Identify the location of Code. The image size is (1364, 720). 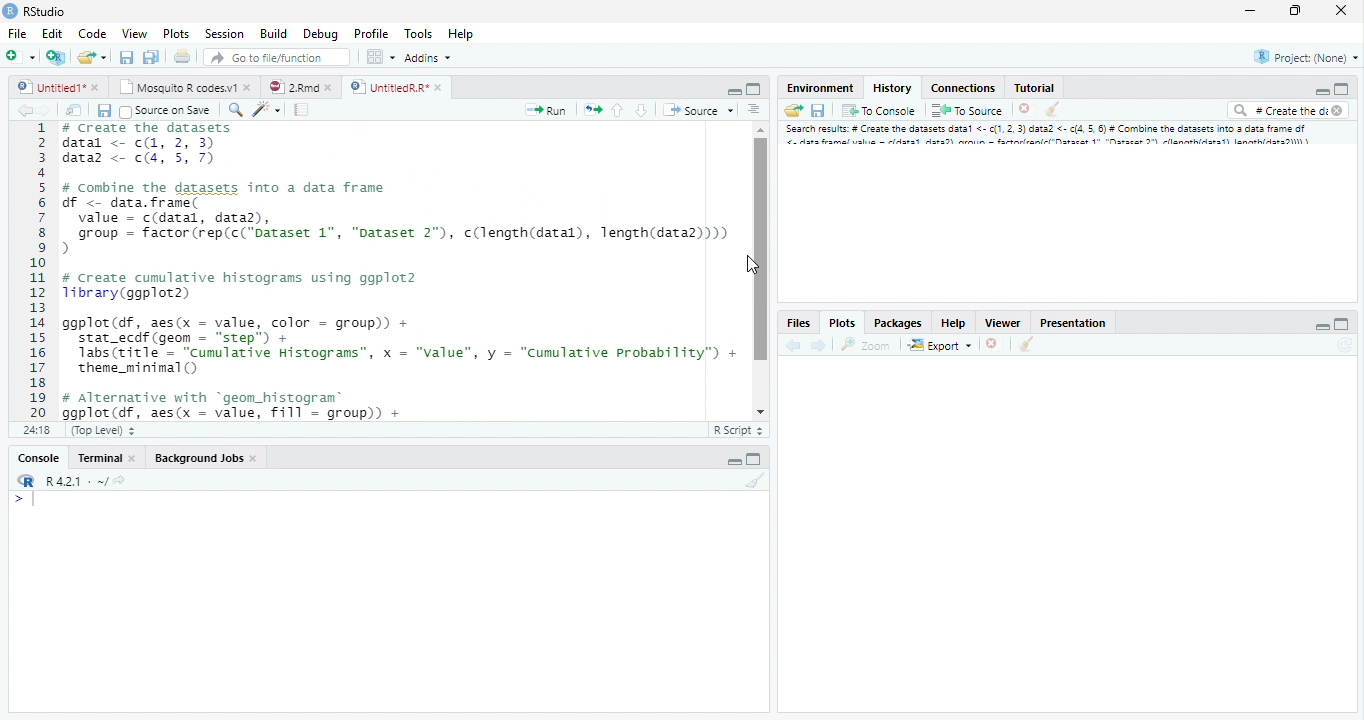
(91, 35).